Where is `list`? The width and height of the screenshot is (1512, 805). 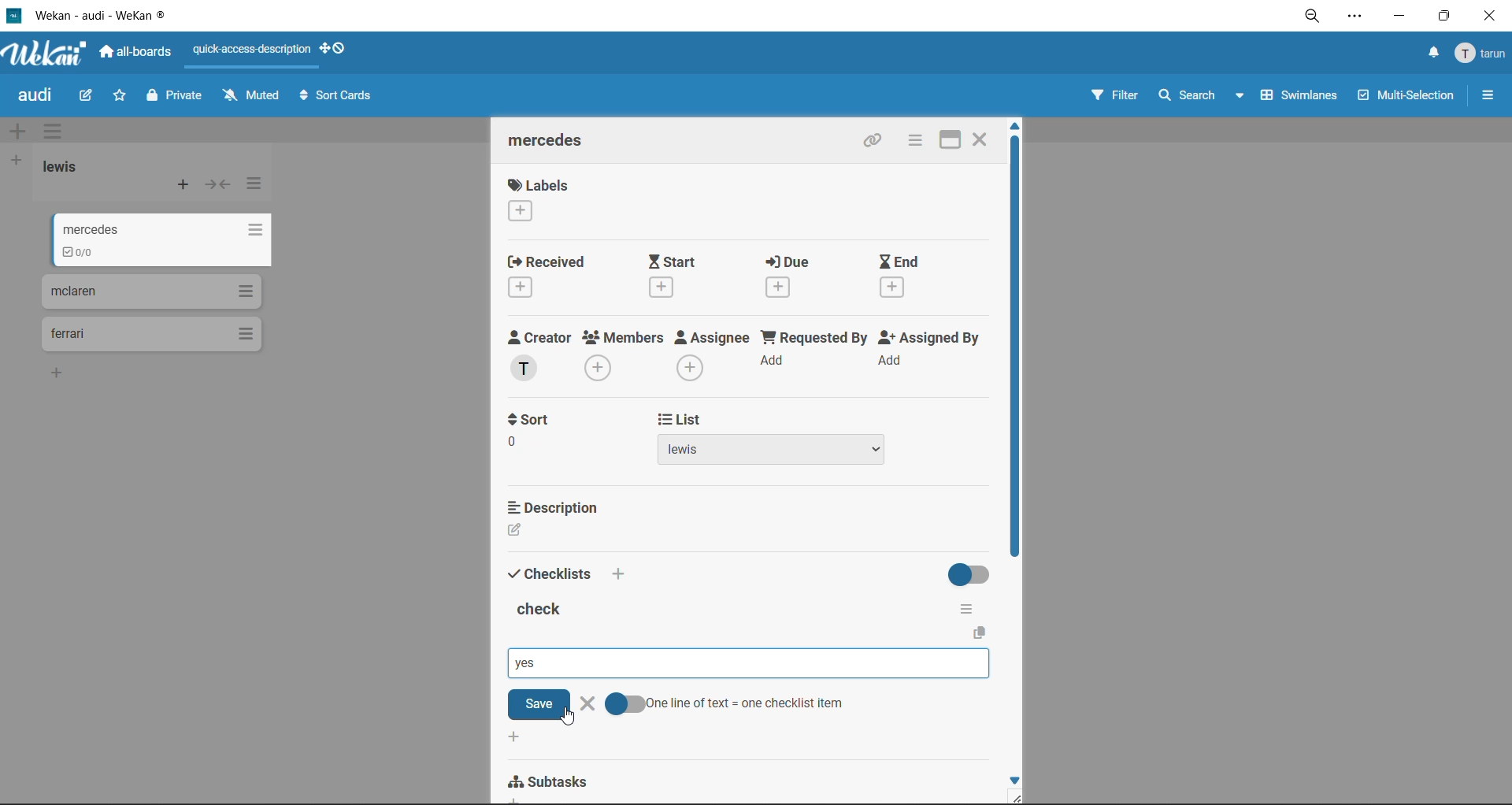 list is located at coordinates (797, 452).